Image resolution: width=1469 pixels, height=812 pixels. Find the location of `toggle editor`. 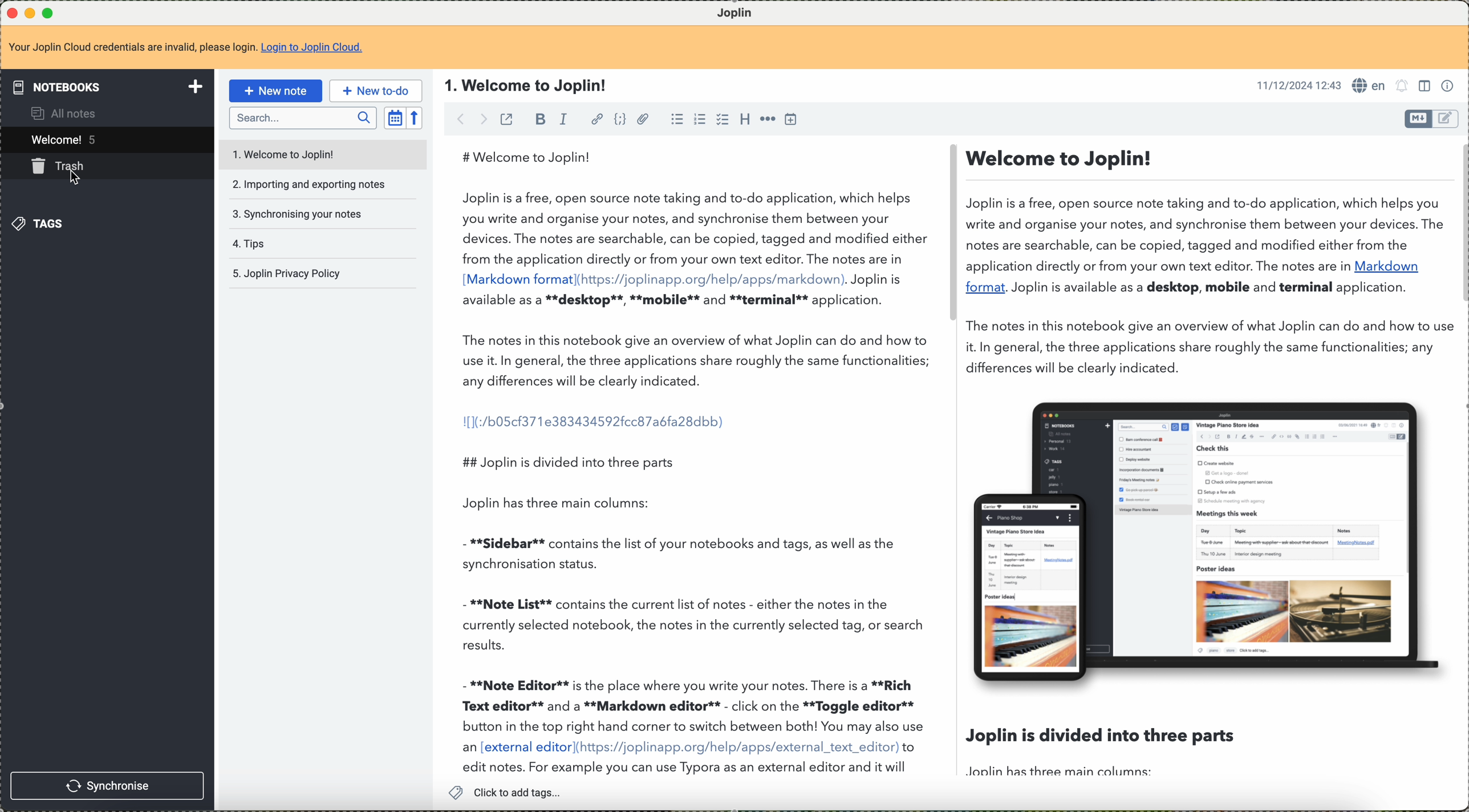

toggle editor is located at coordinates (1447, 118).